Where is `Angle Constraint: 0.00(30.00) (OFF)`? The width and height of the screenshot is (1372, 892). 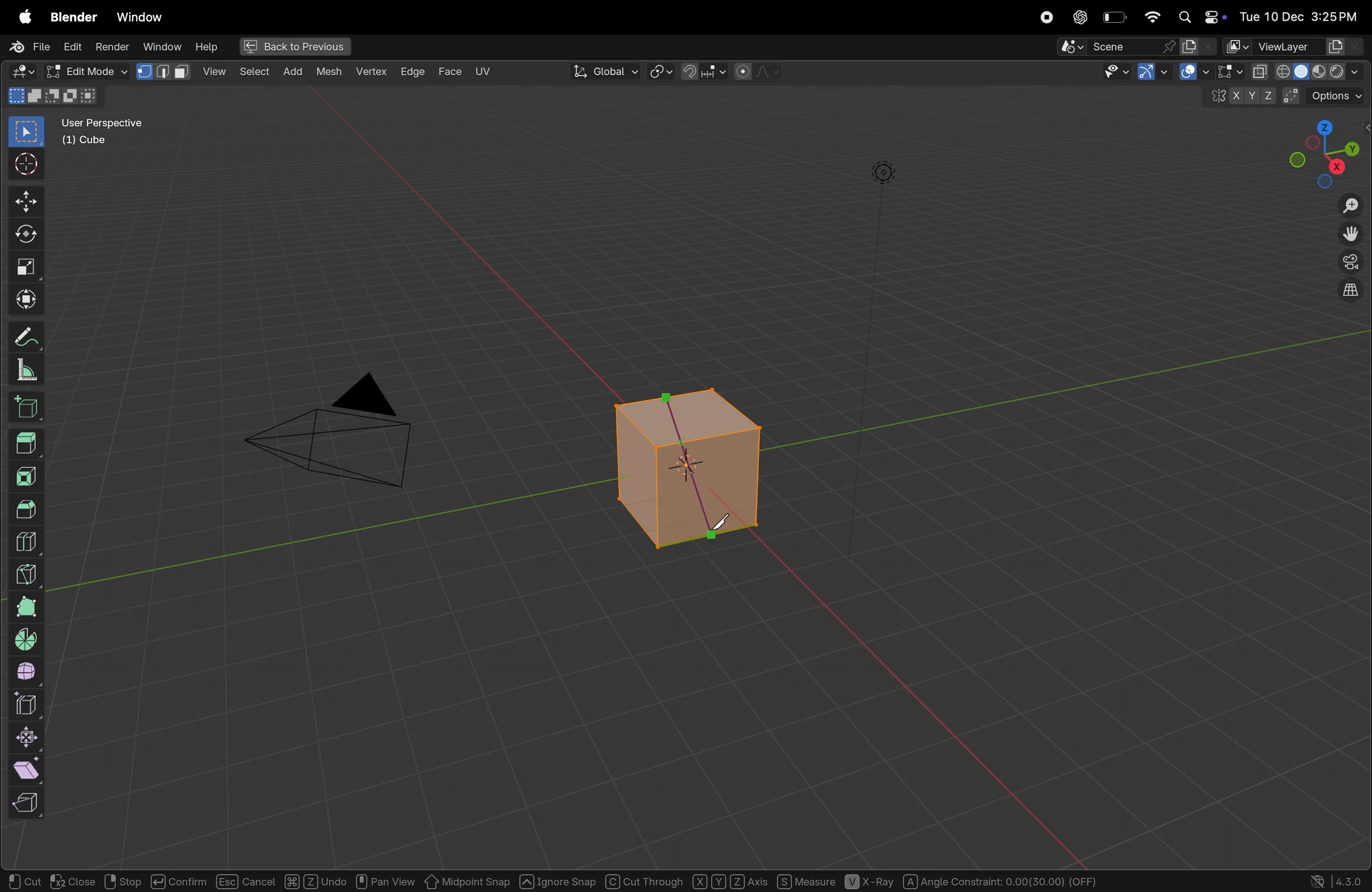
Angle Constraint: 0.00(30.00) (OFF) is located at coordinates (1000, 880).